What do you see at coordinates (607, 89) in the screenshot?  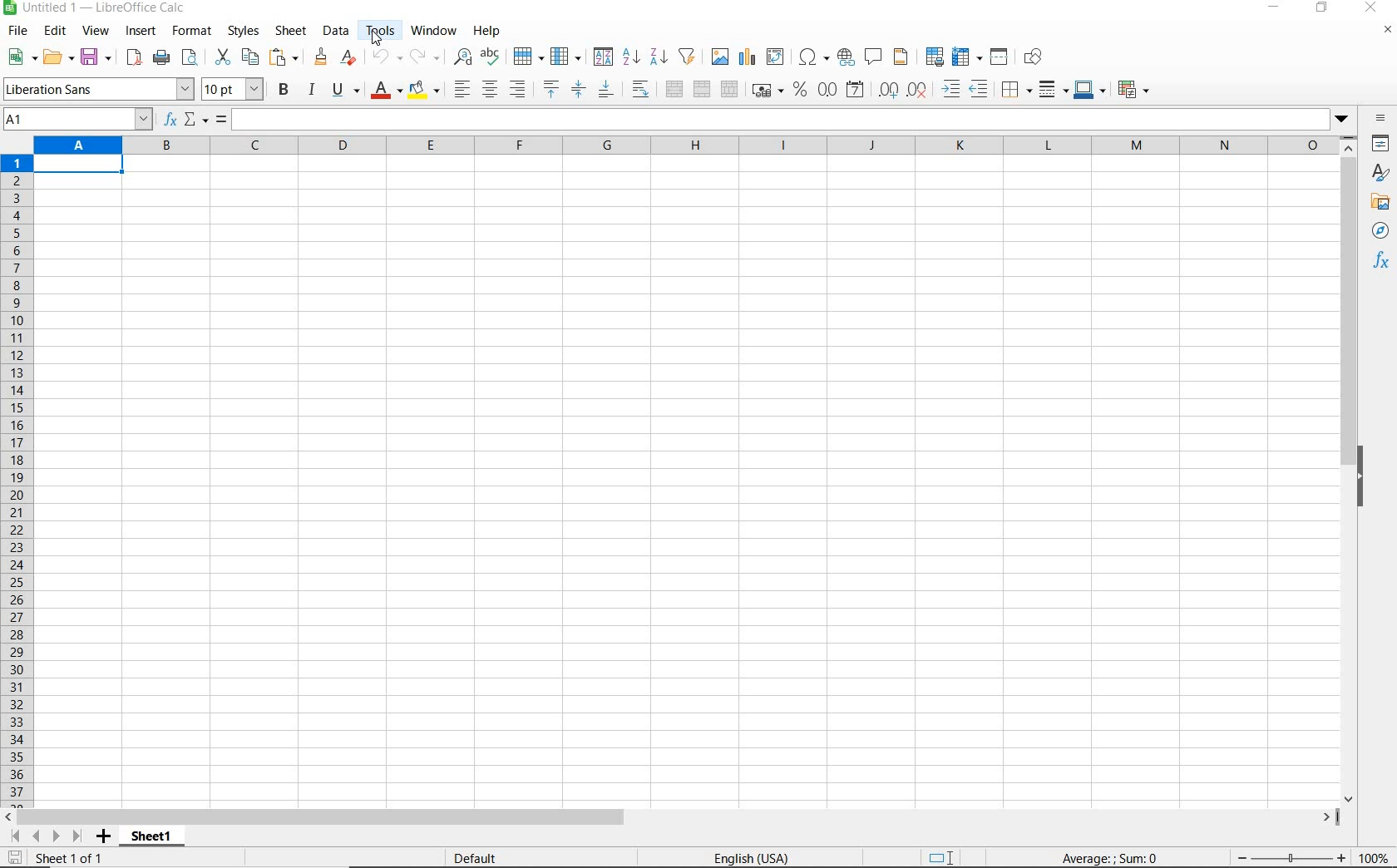 I see `align bottom` at bounding box center [607, 89].